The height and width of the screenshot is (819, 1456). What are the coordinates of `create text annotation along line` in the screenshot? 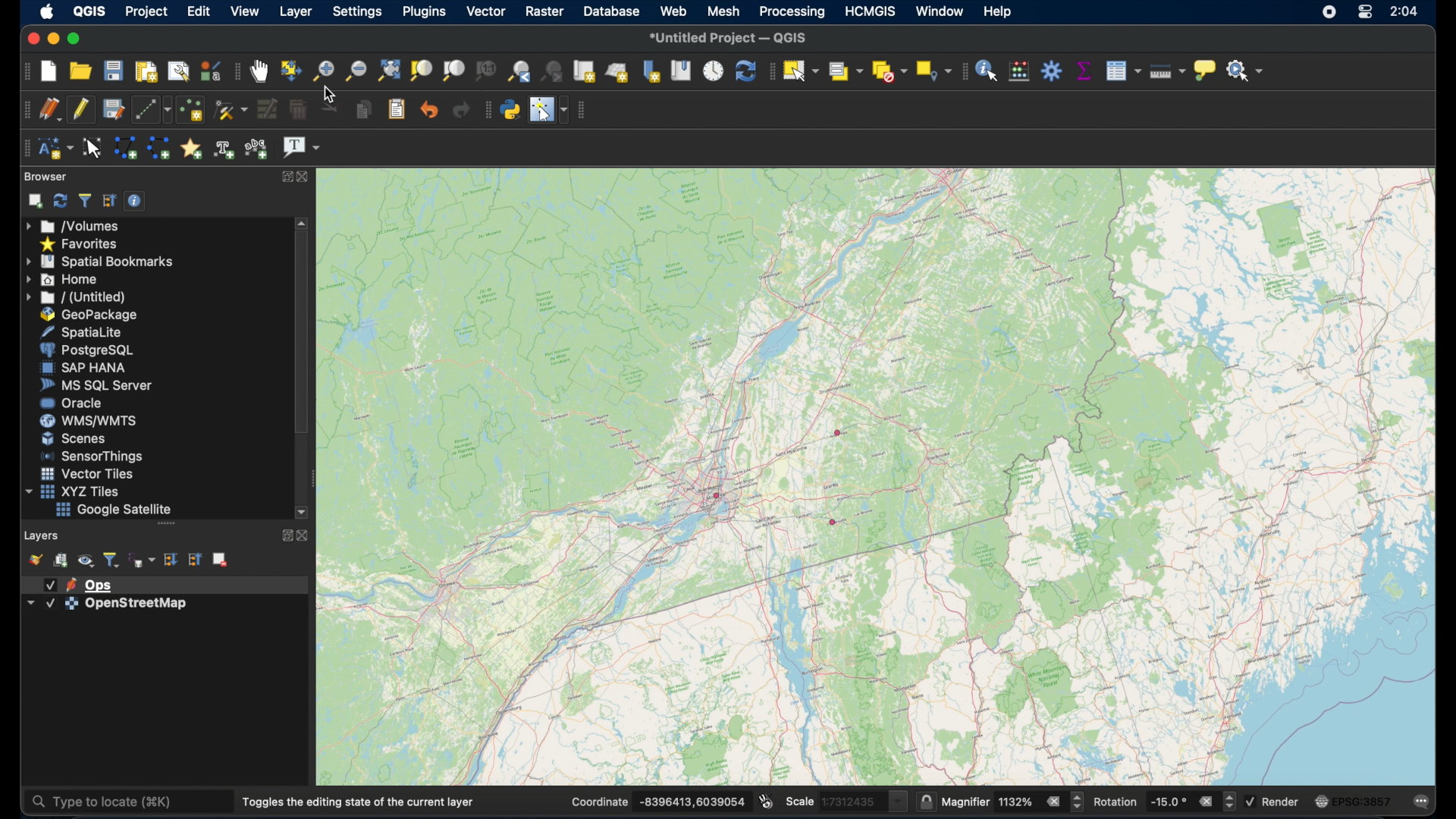 It's located at (258, 149).